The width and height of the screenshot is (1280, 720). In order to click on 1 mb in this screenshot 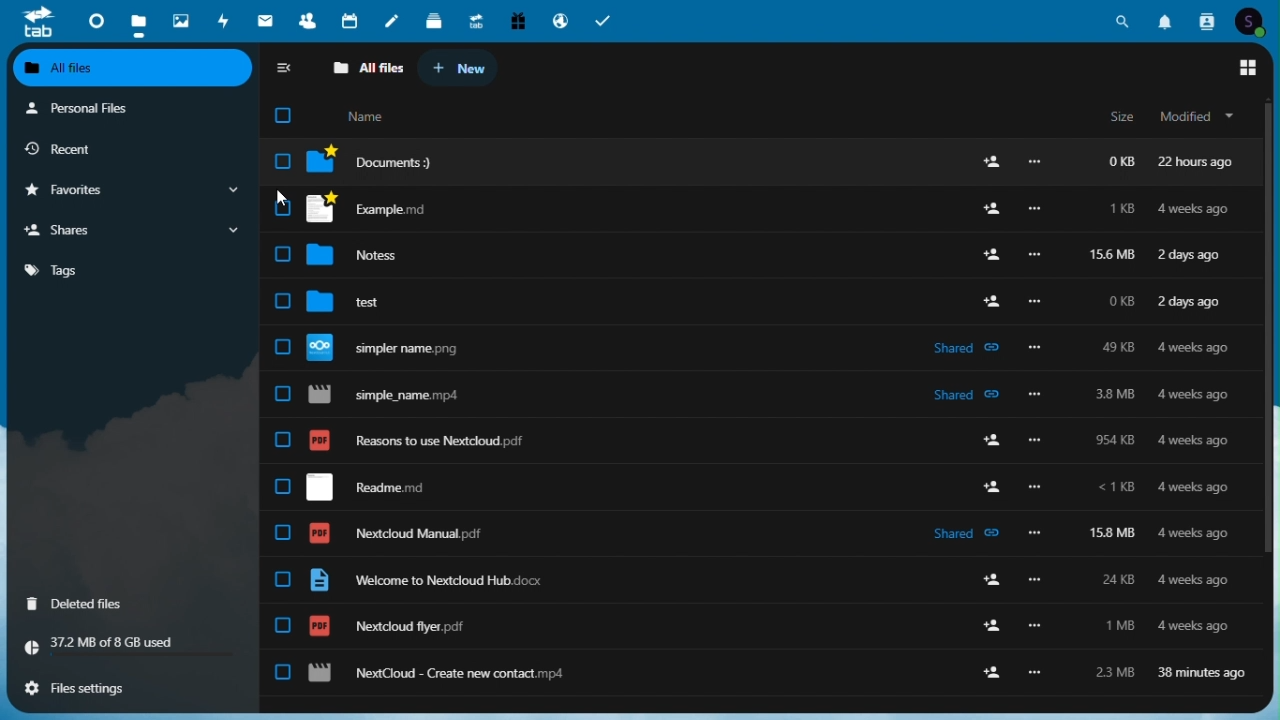, I will do `click(1118, 627)`.